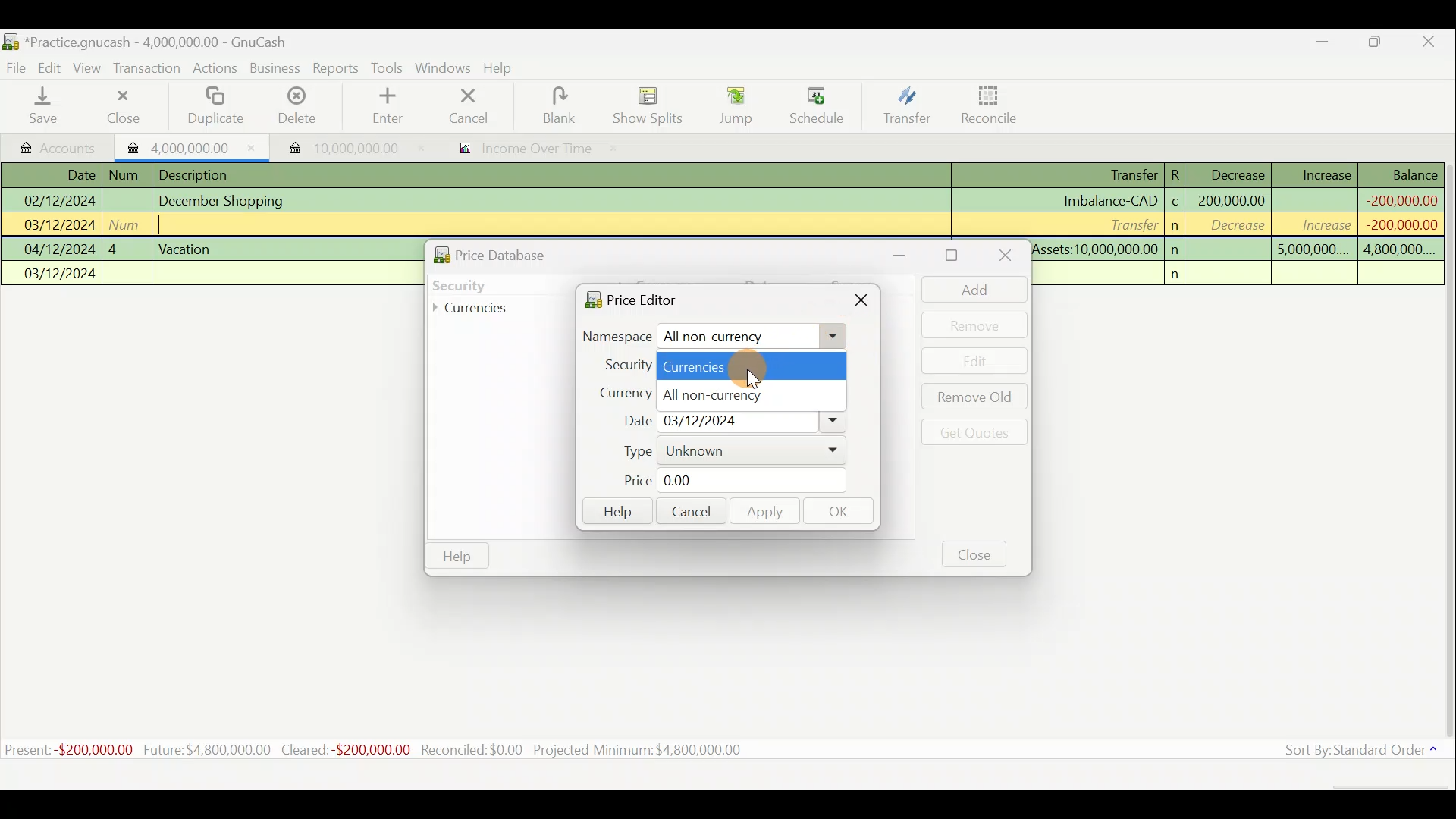 The height and width of the screenshot is (819, 1456). What do you see at coordinates (457, 557) in the screenshot?
I see `Help` at bounding box center [457, 557].